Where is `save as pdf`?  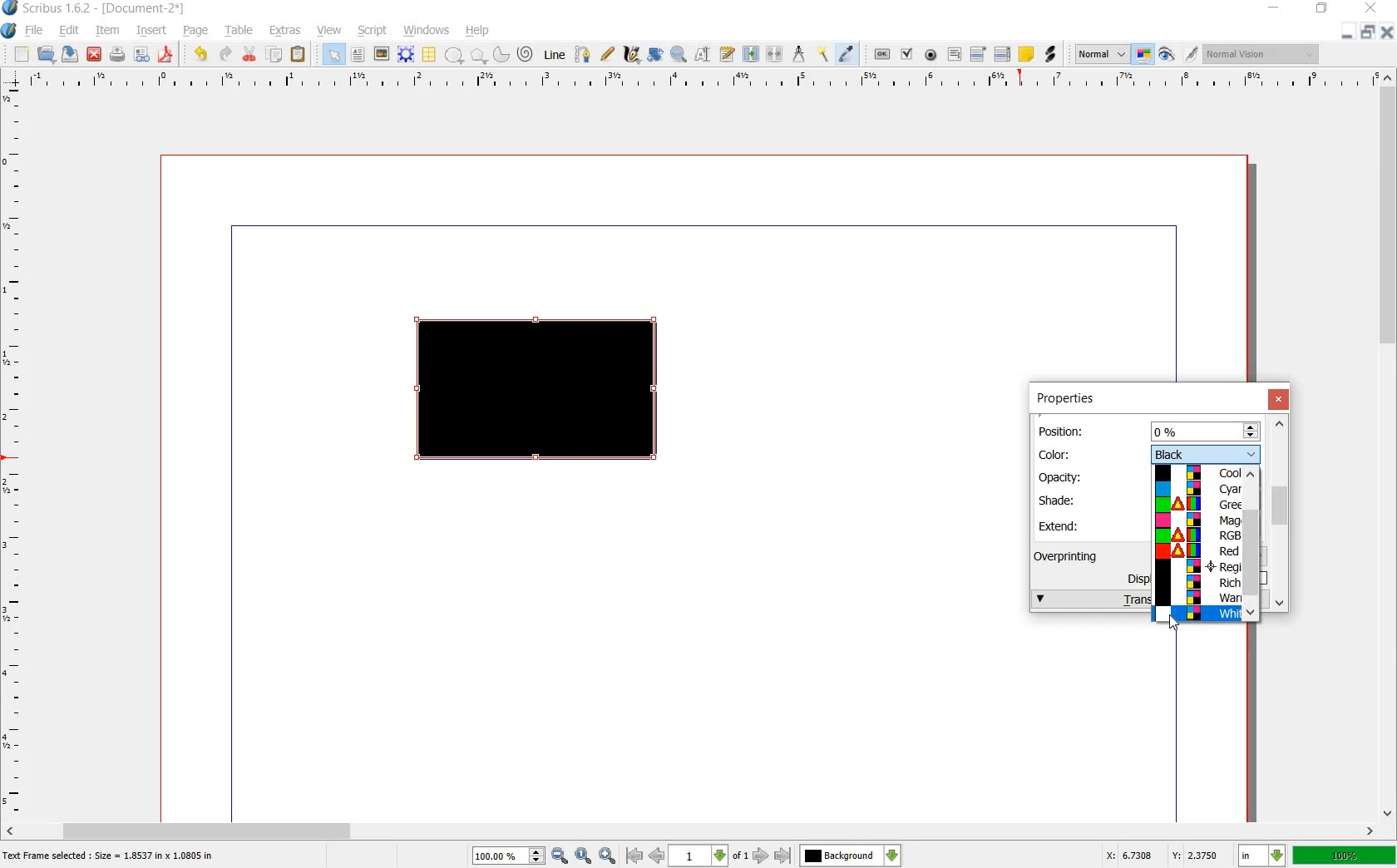
save as pdf is located at coordinates (165, 55).